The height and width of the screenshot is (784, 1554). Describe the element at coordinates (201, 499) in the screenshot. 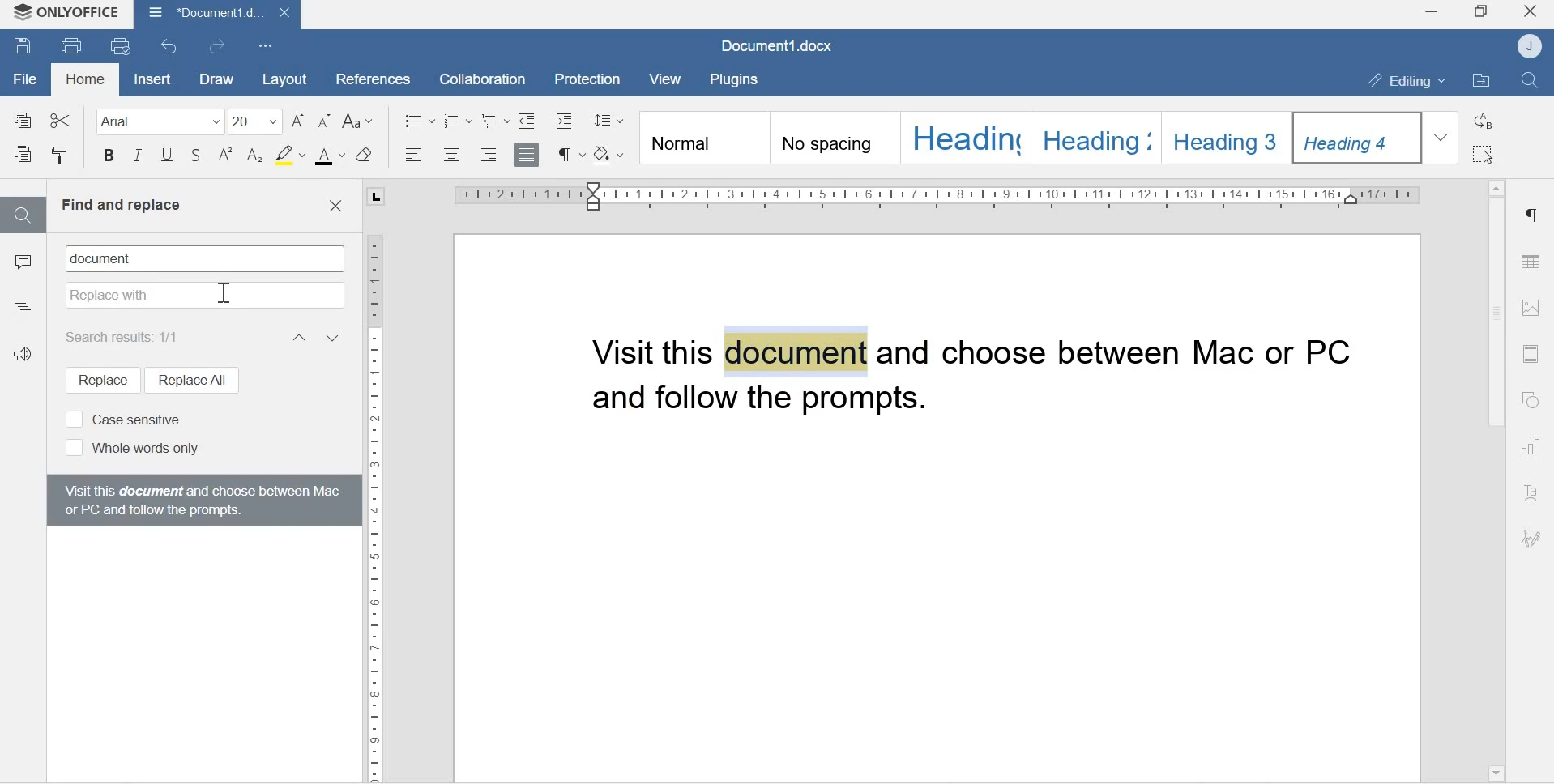

I see `Visit this document and choose between Mac or PC and follow the prompts.` at that location.